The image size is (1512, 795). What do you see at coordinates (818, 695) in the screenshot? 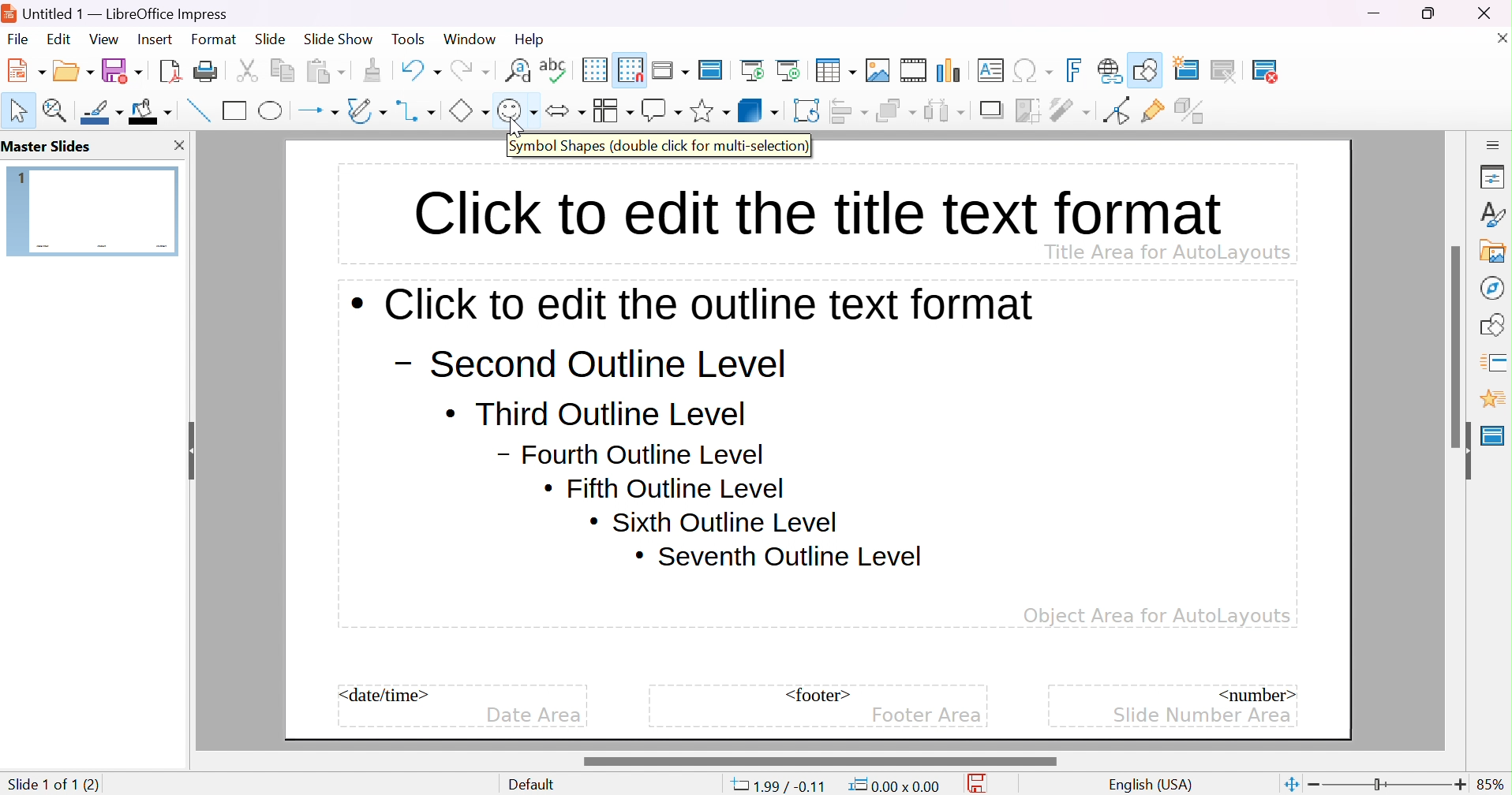
I see `<footer>` at bounding box center [818, 695].